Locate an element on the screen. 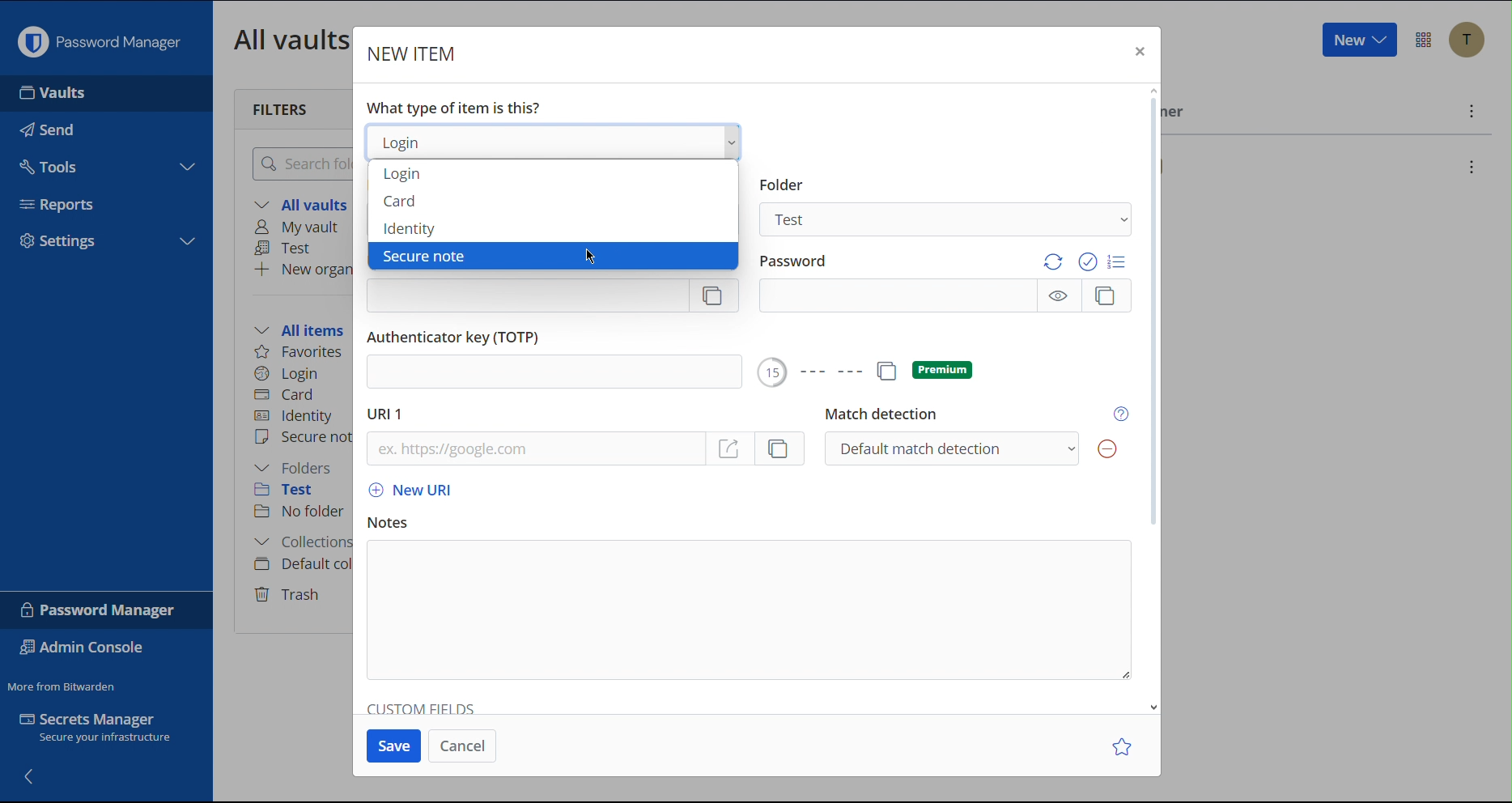 The image size is (1512, 803). More from Bitwarden is located at coordinates (64, 683).